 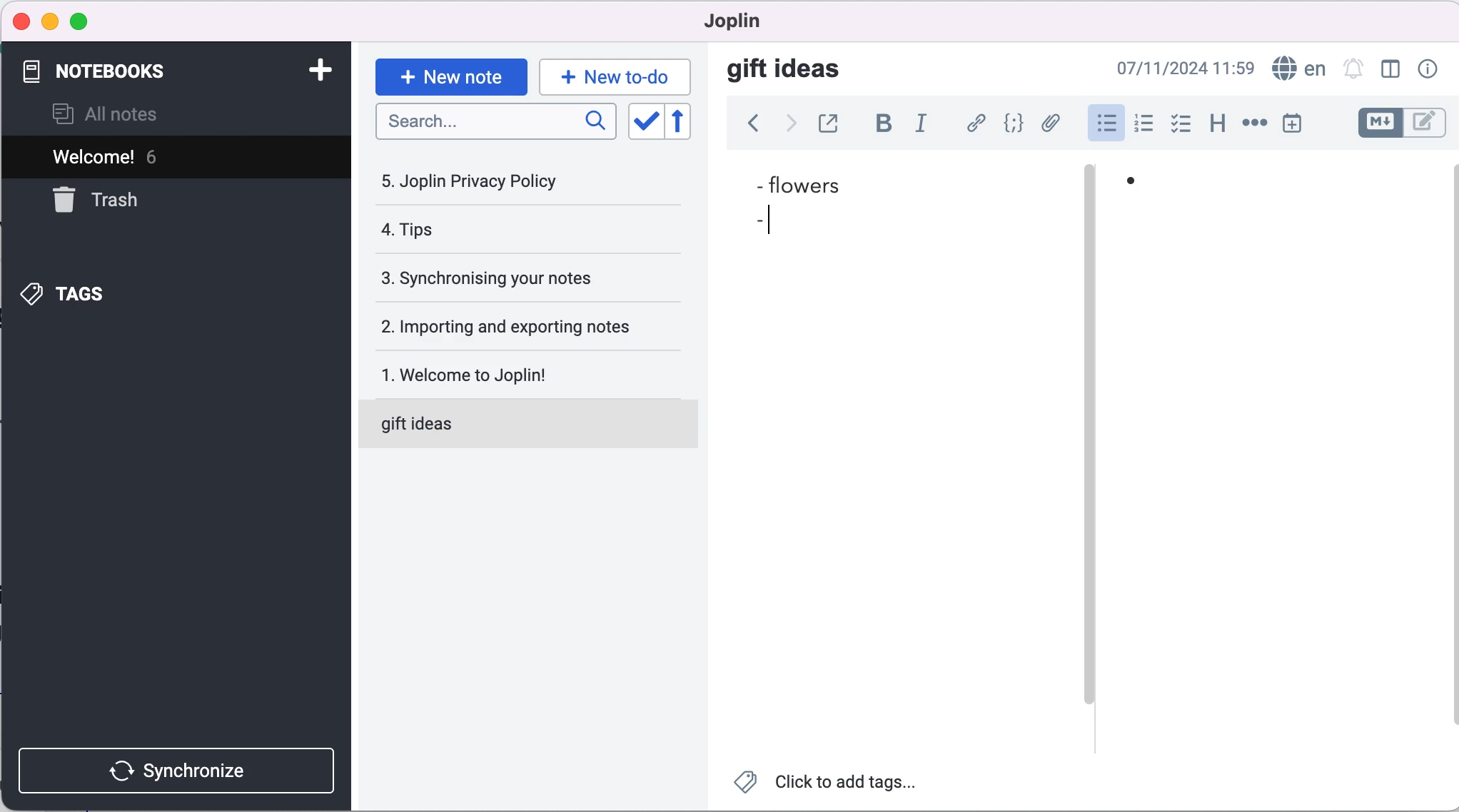 What do you see at coordinates (1426, 70) in the screenshot?
I see `note properties` at bounding box center [1426, 70].